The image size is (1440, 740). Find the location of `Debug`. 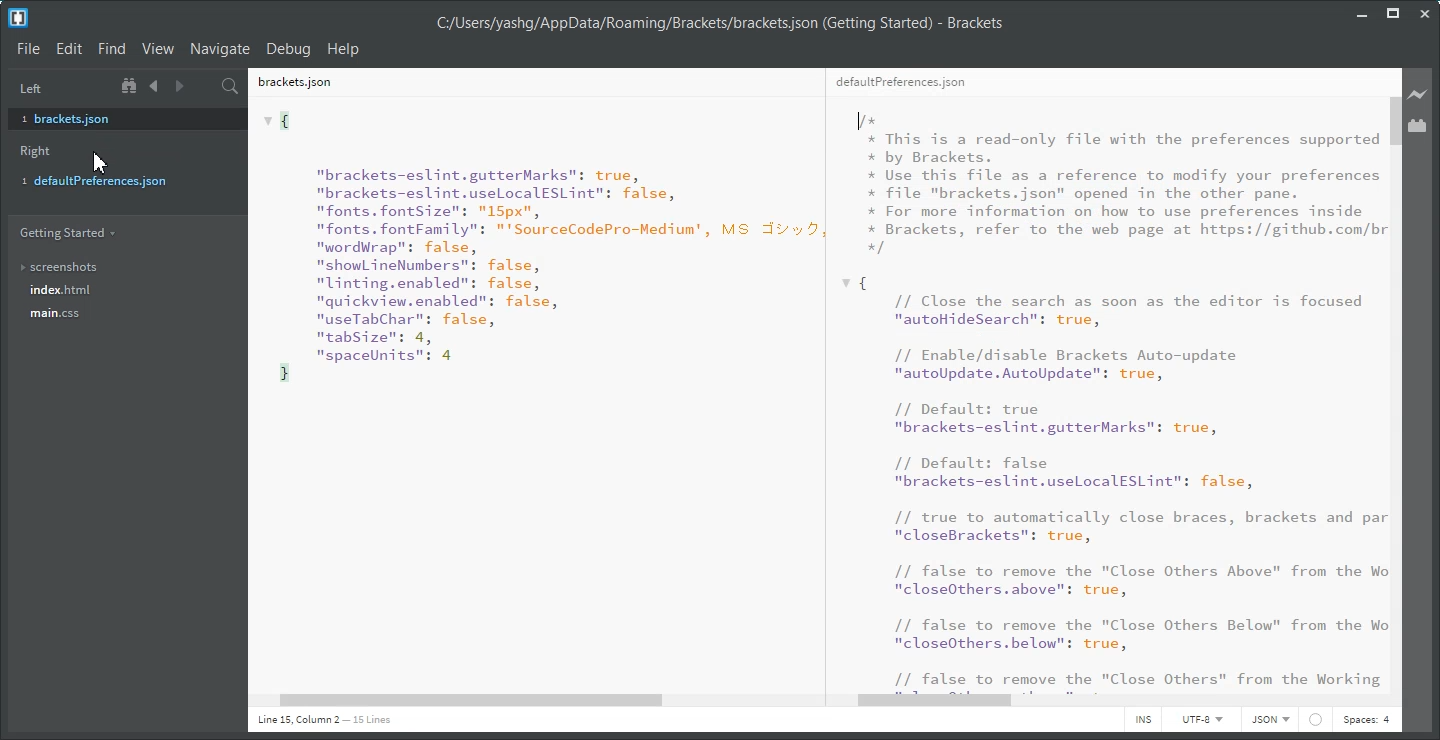

Debug is located at coordinates (288, 49).